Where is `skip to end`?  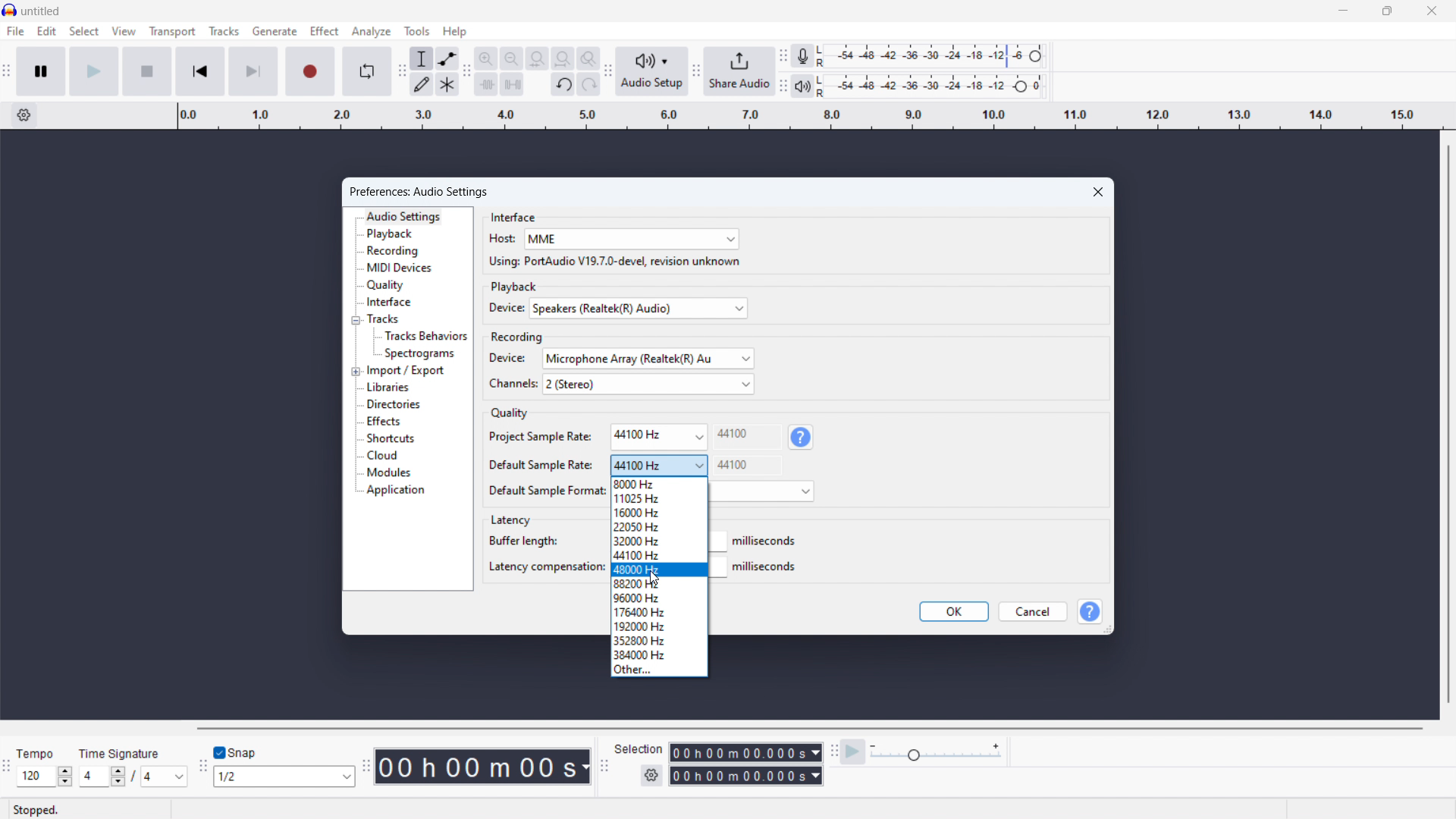 skip to end is located at coordinates (255, 71).